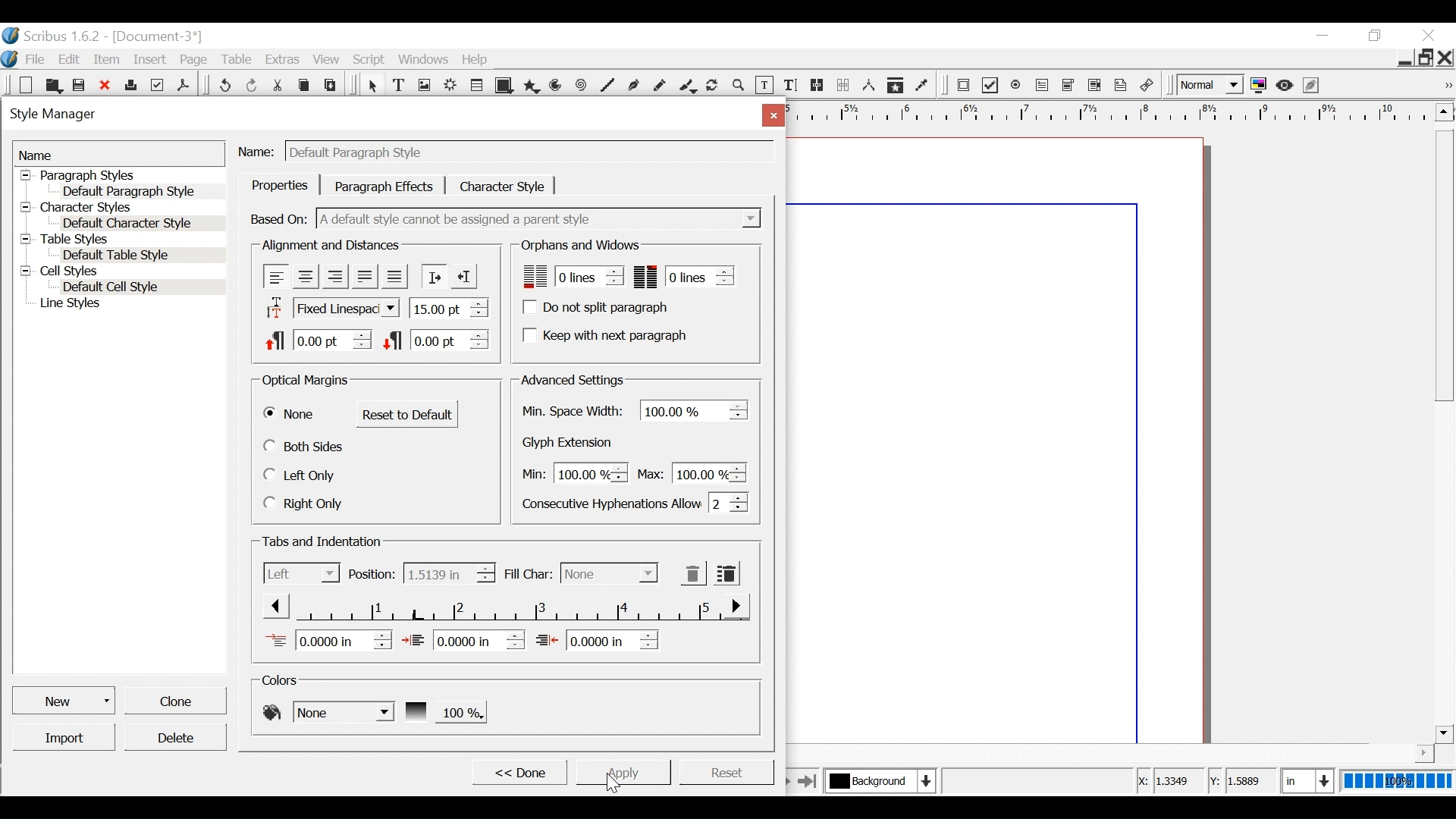  Describe the element at coordinates (579, 246) in the screenshot. I see `Orphans and windows` at that location.